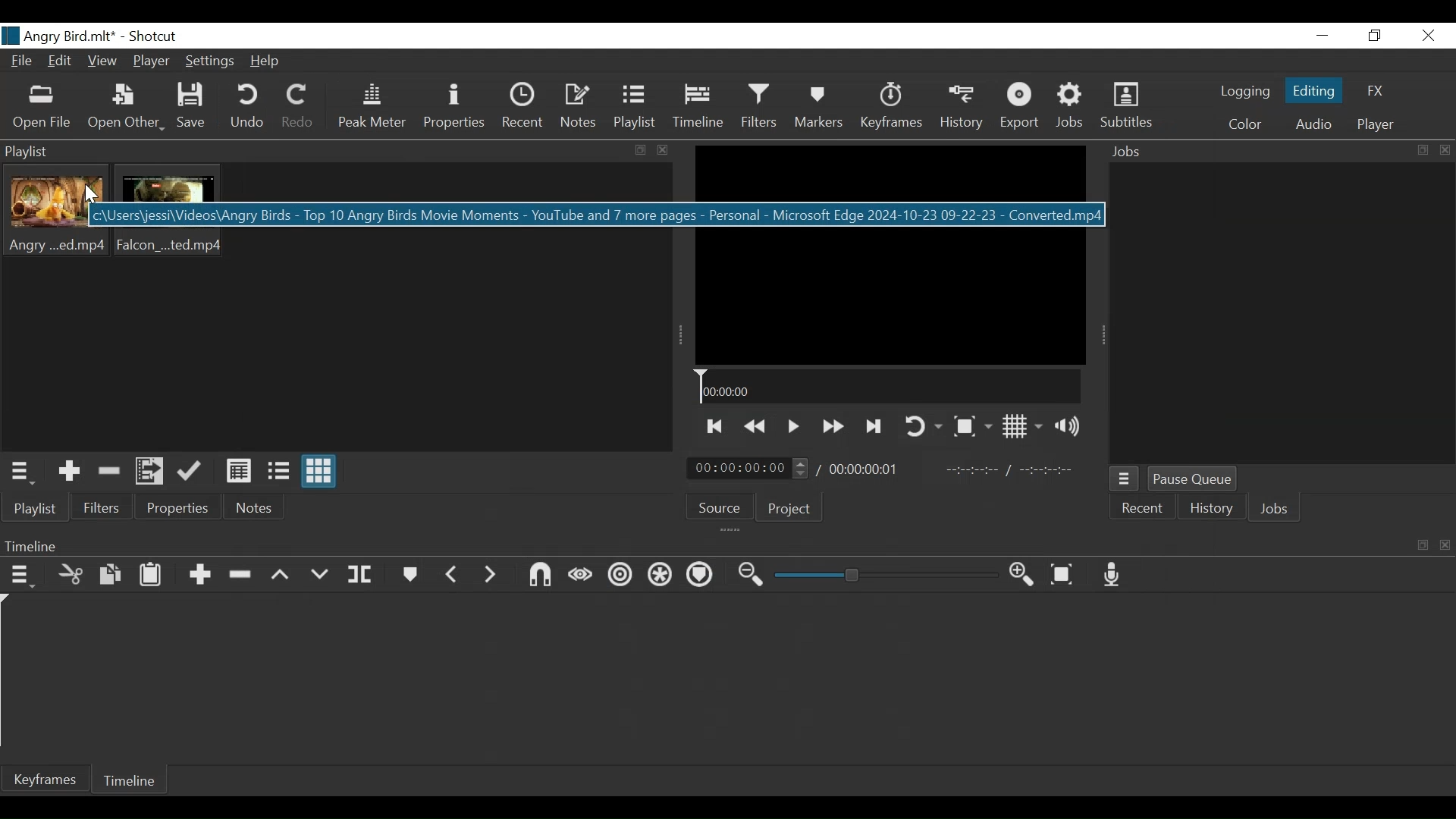  Describe the element at coordinates (324, 574) in the screenshot. I see `Overwrite` at that location.